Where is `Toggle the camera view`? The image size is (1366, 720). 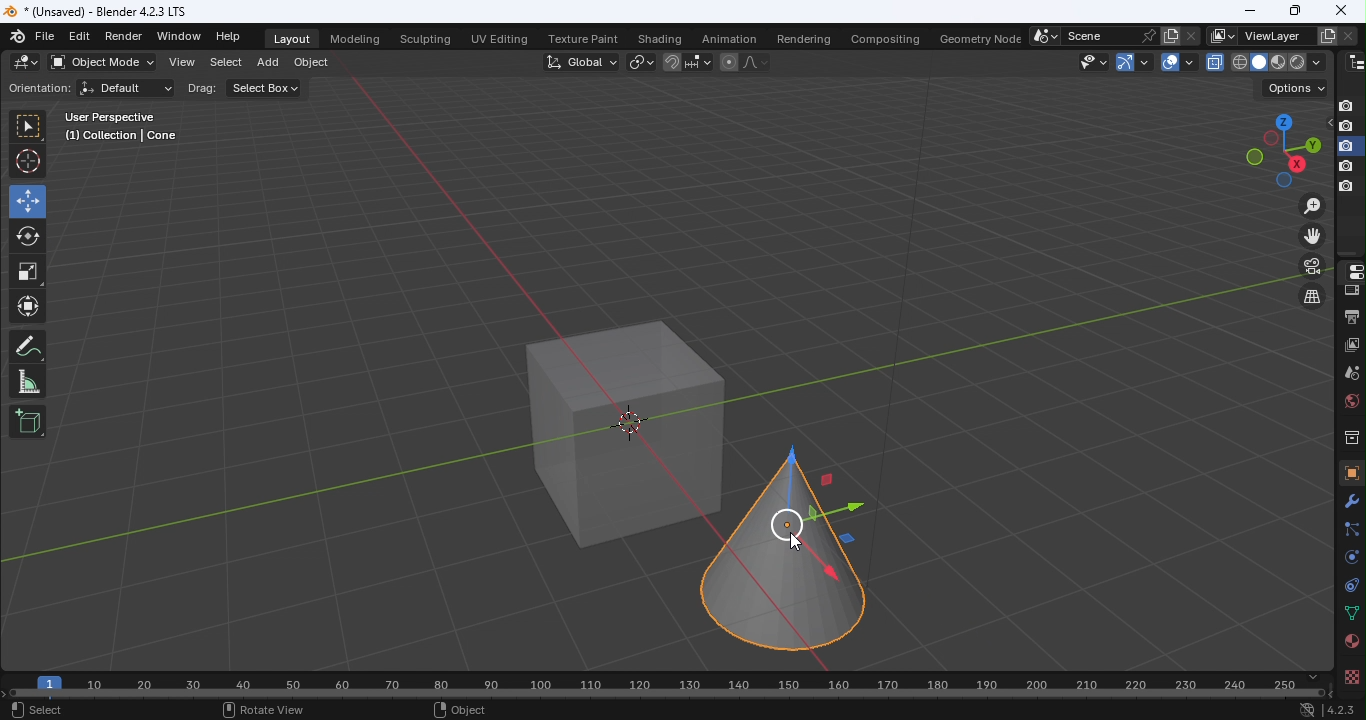 Toggle the camera view is located at coordinates (1314, 266).